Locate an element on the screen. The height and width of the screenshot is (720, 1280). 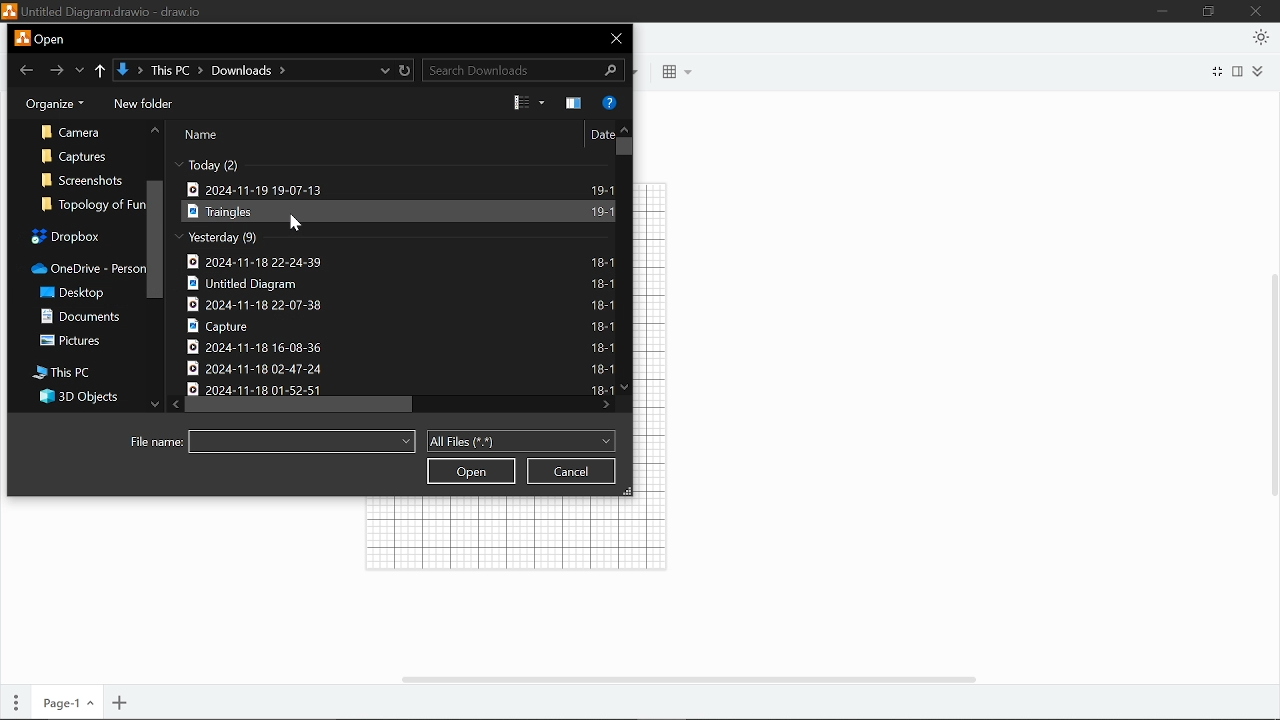
Vertical scrollbar is located at coordinates (1272, 385).